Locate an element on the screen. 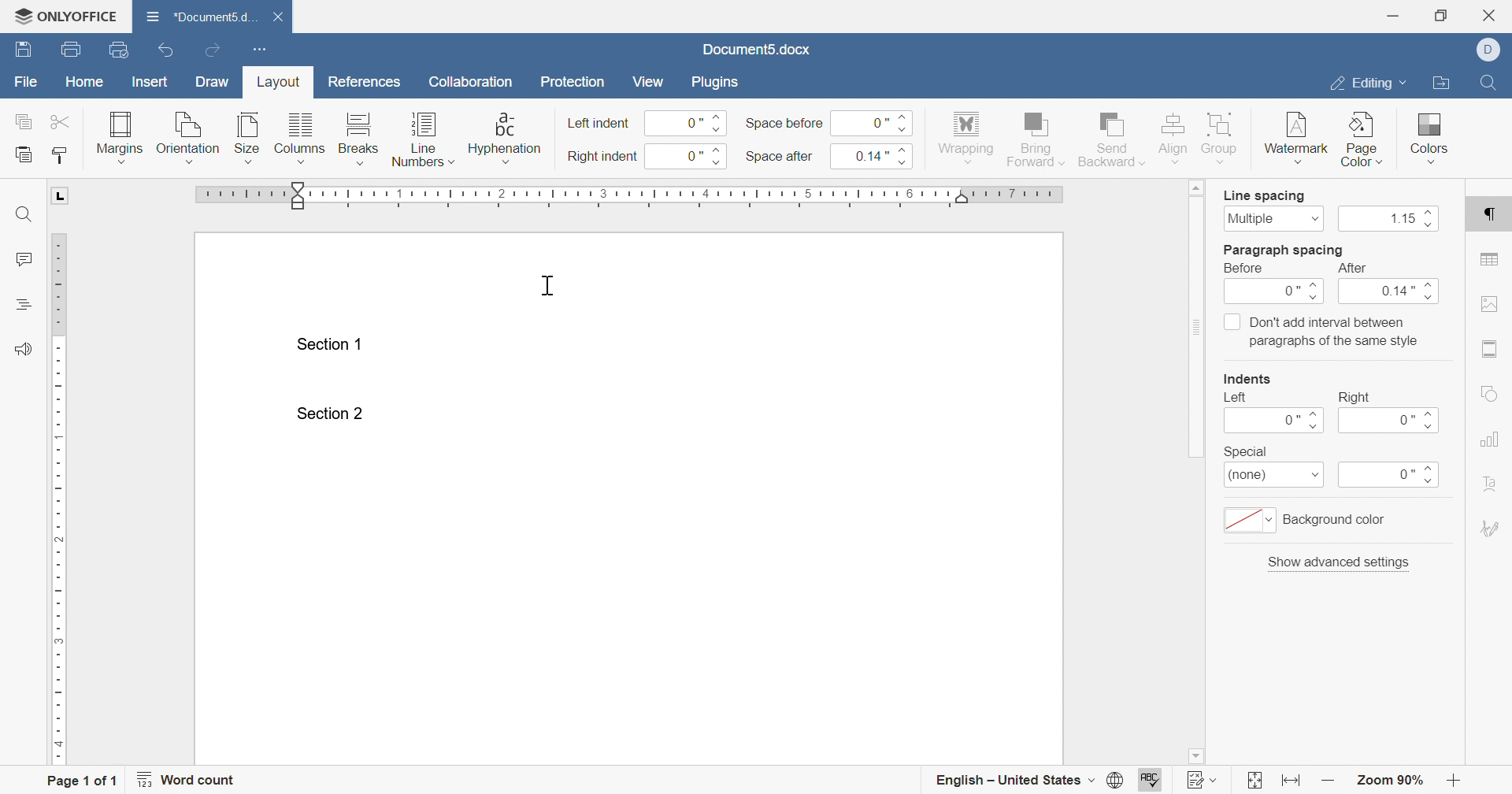 The image size is (1512, 794). ruler is located at coordinates (628, 198).